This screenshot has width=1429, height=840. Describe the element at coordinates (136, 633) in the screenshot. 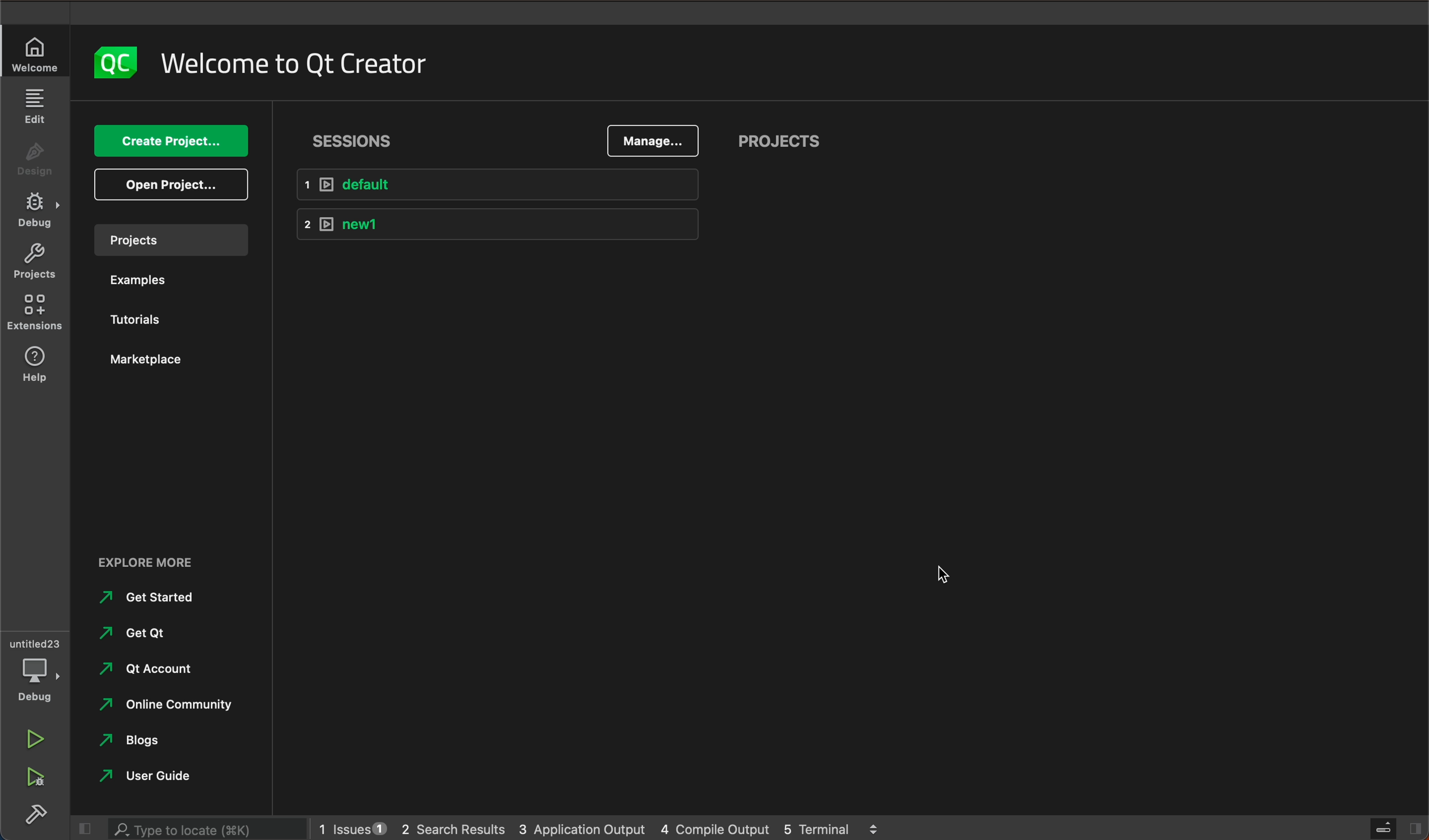

I see `get qt` at that location.